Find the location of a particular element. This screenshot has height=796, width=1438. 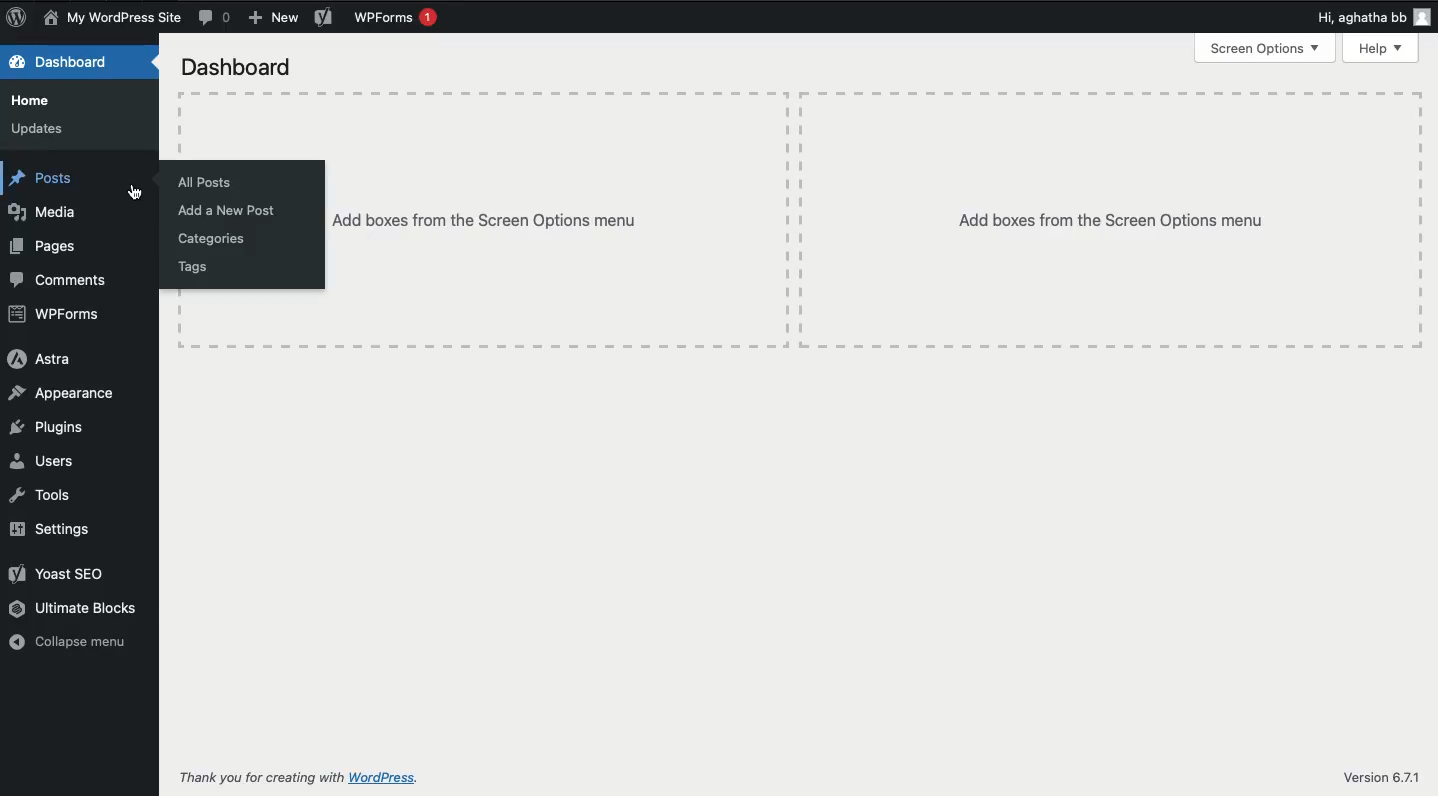

Home is located at coordinates (35, 100).